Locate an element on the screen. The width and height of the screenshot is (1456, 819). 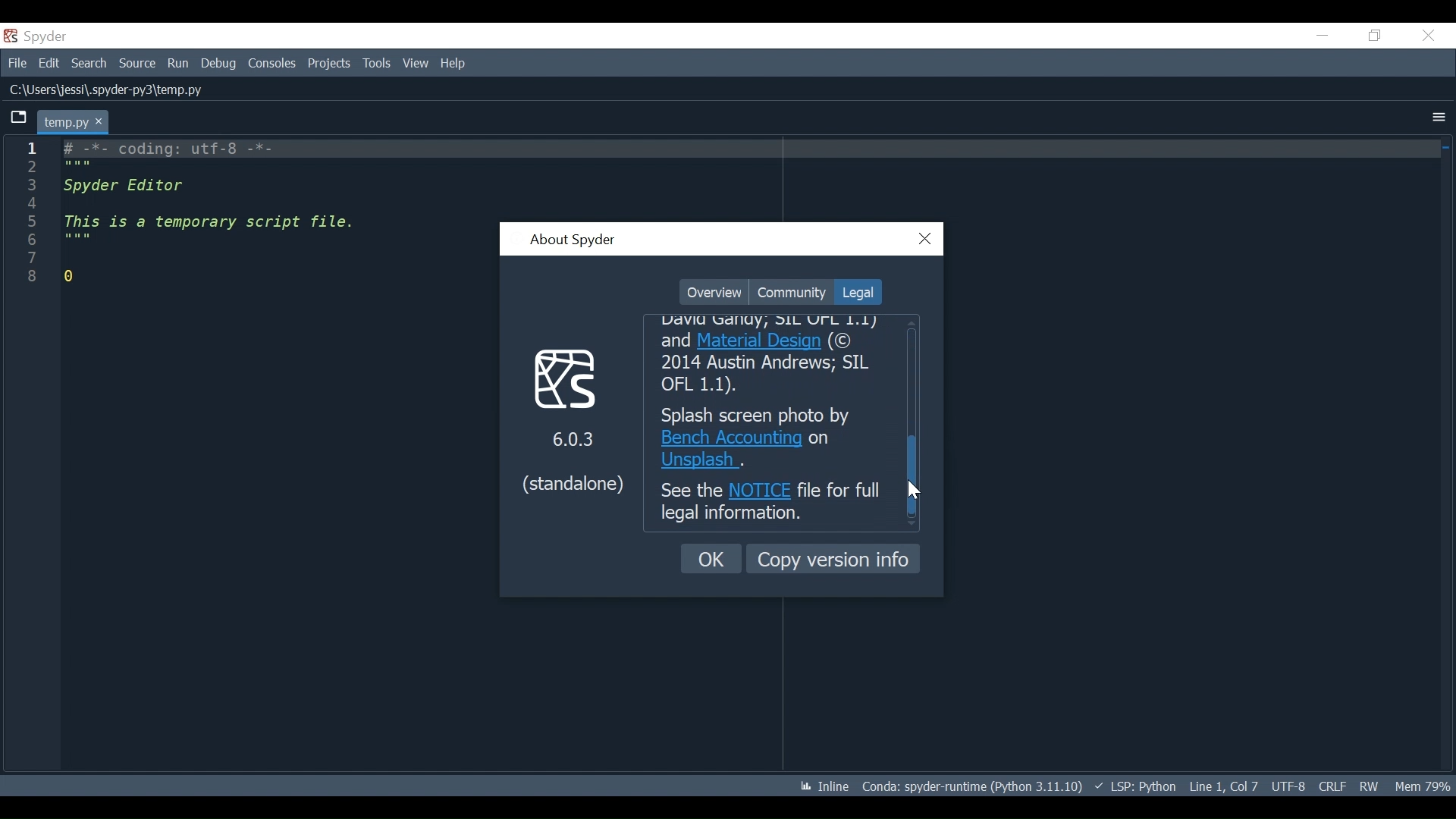
Overview is located at coordinates (714, 293).